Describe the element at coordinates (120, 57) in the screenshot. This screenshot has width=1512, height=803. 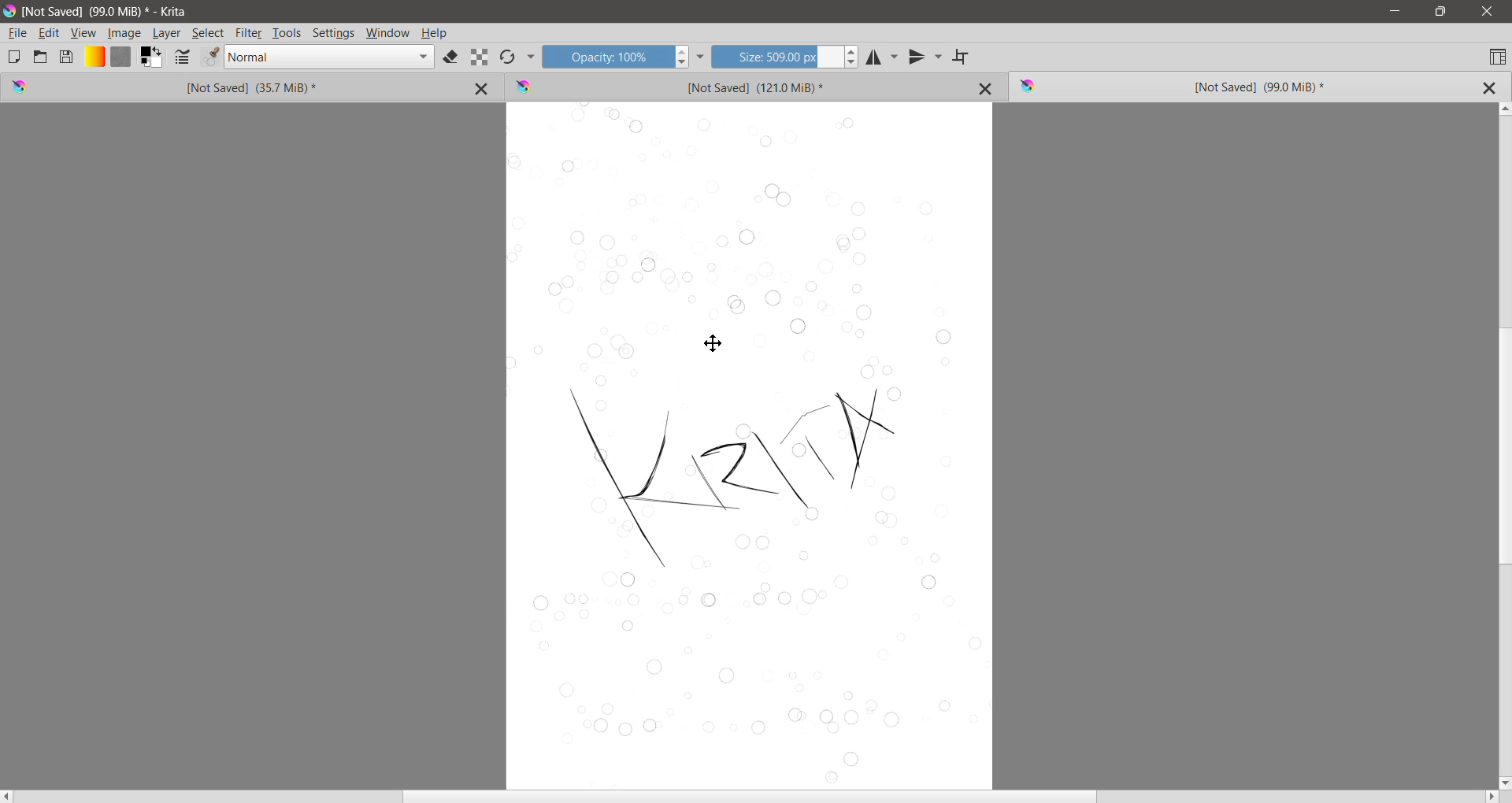
I see `Fill Patterns` at that location.